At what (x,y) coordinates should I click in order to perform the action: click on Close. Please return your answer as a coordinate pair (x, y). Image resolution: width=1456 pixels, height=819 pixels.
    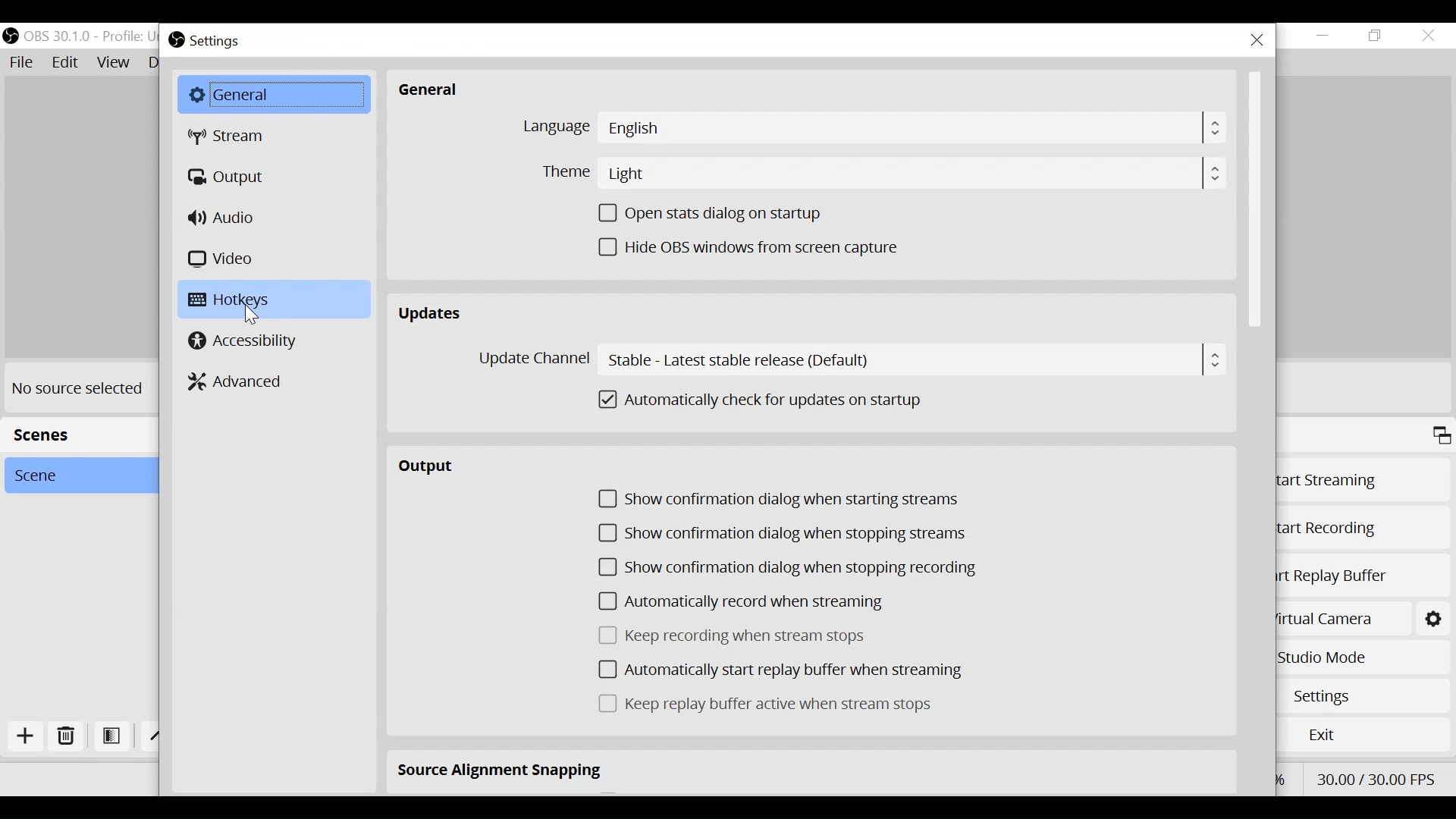
    Looking at the image, I should click on (1258, 40).